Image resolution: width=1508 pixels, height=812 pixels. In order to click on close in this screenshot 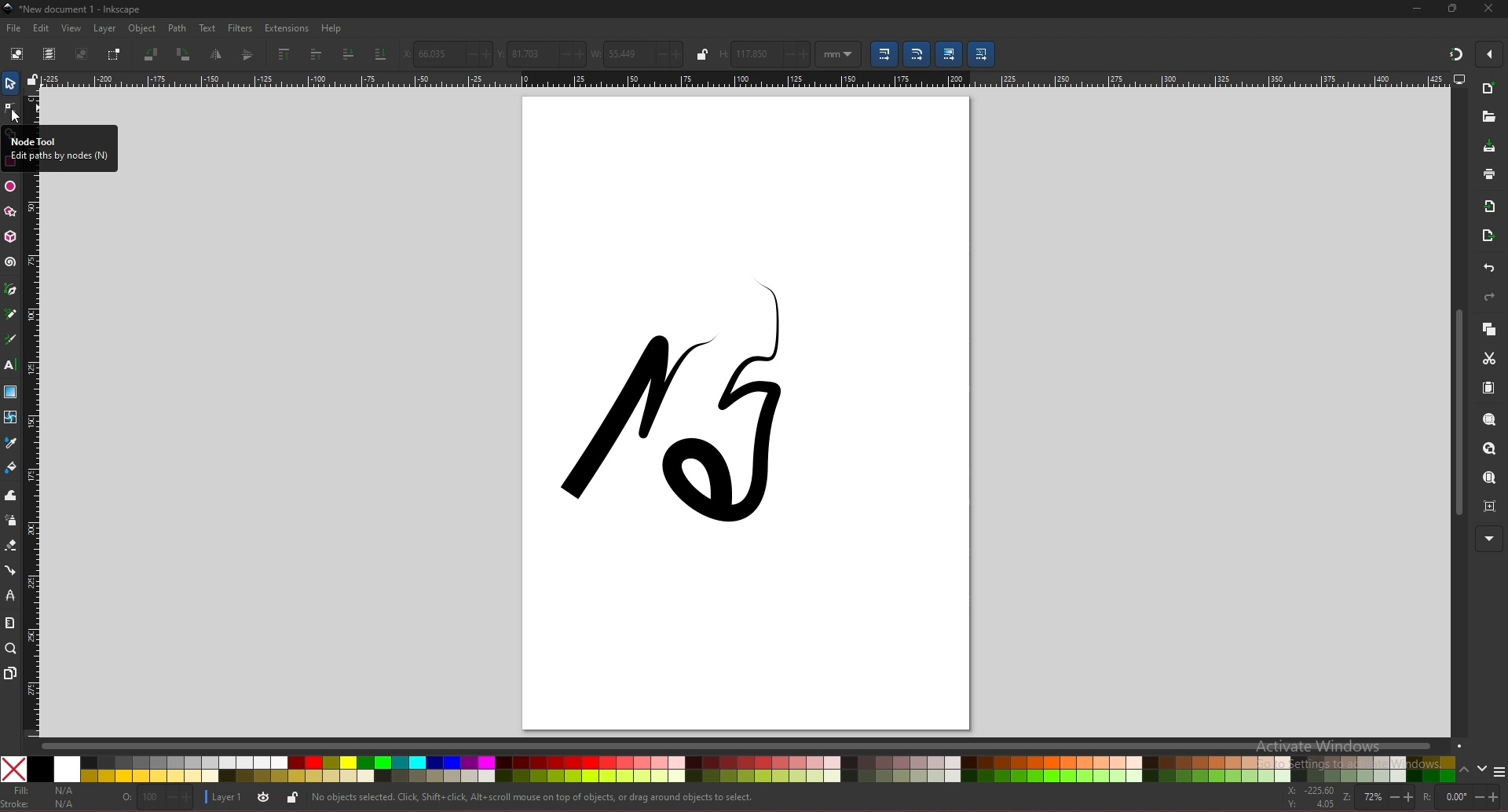, I will do `click(1489, 9)`.